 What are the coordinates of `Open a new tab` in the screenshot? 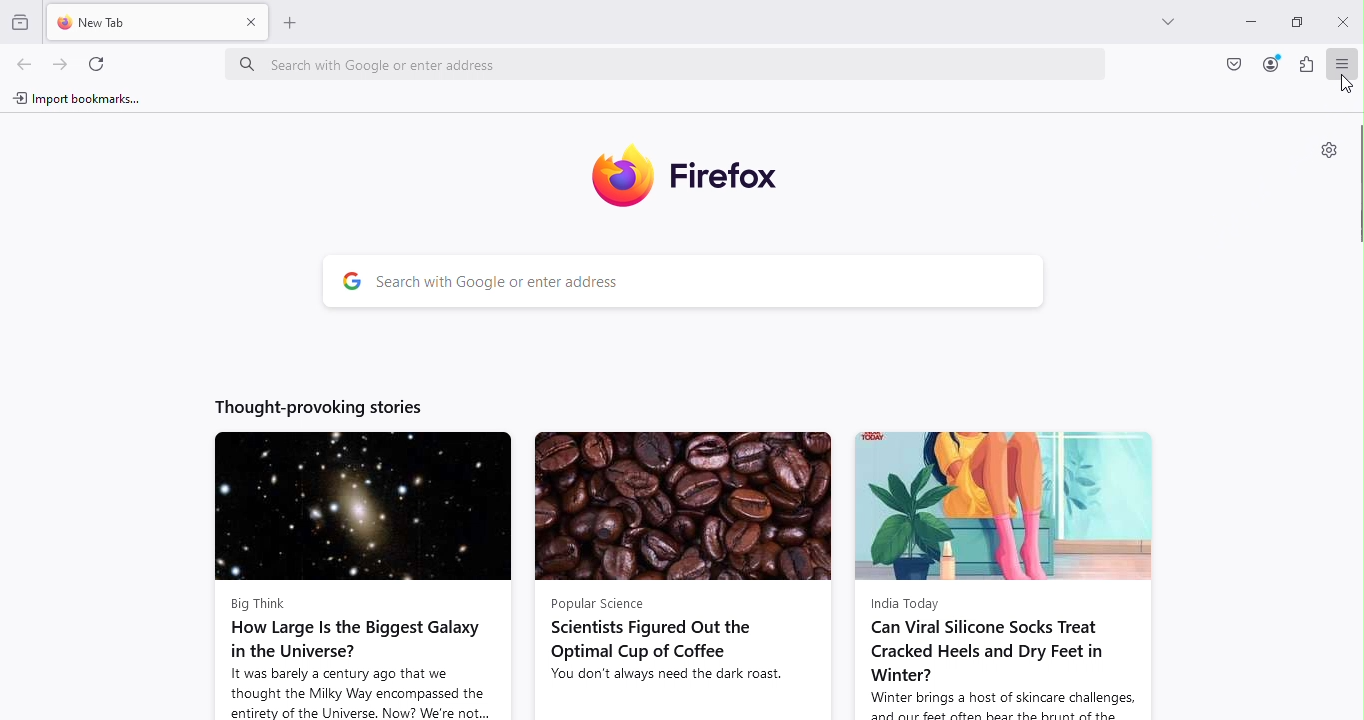 It's located at (291, 22).